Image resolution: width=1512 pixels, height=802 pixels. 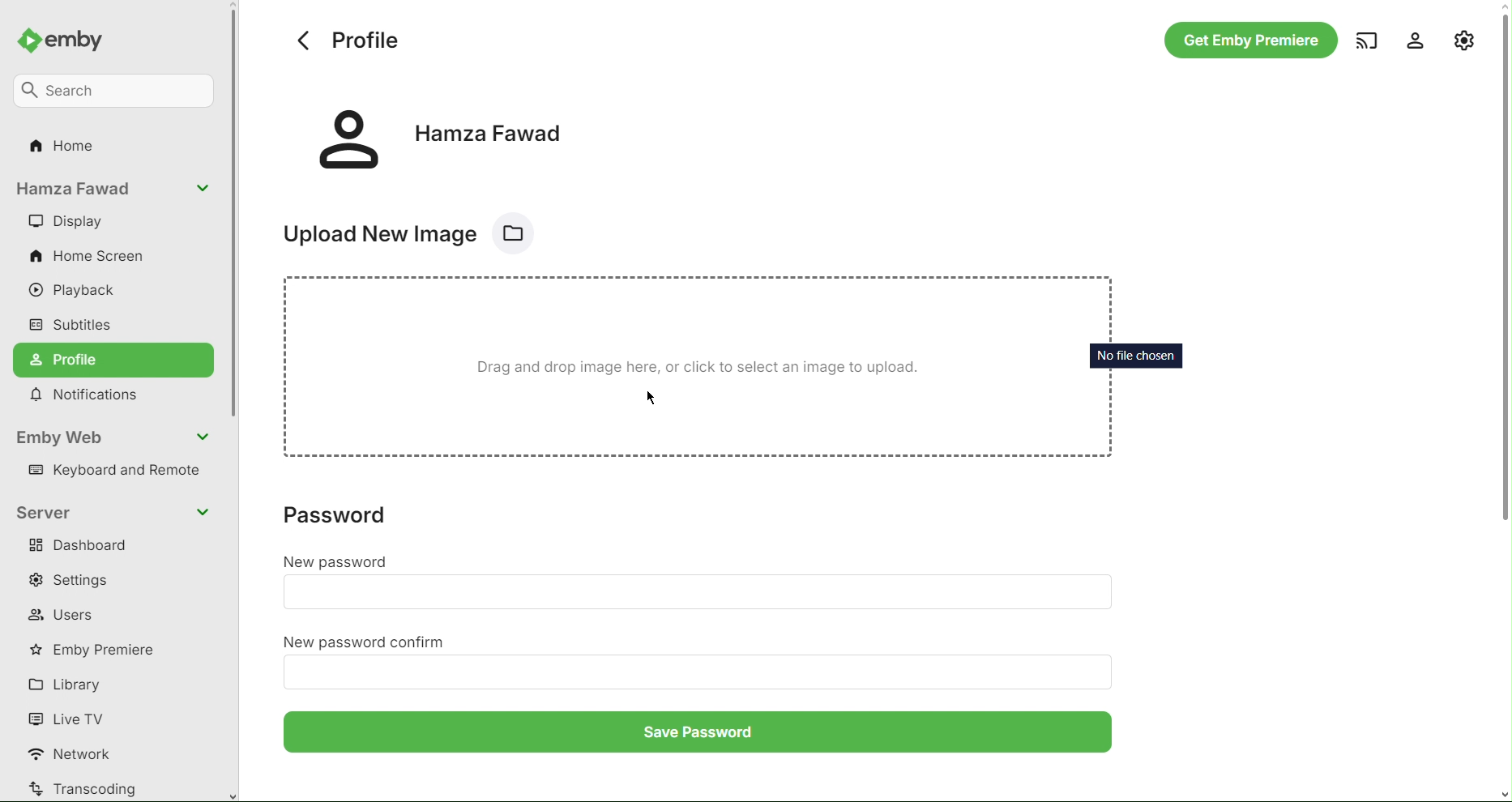 What do you see at coordinates (78, 580) in the screenshot?
I see `Settings` at bounding box center [78, 580].